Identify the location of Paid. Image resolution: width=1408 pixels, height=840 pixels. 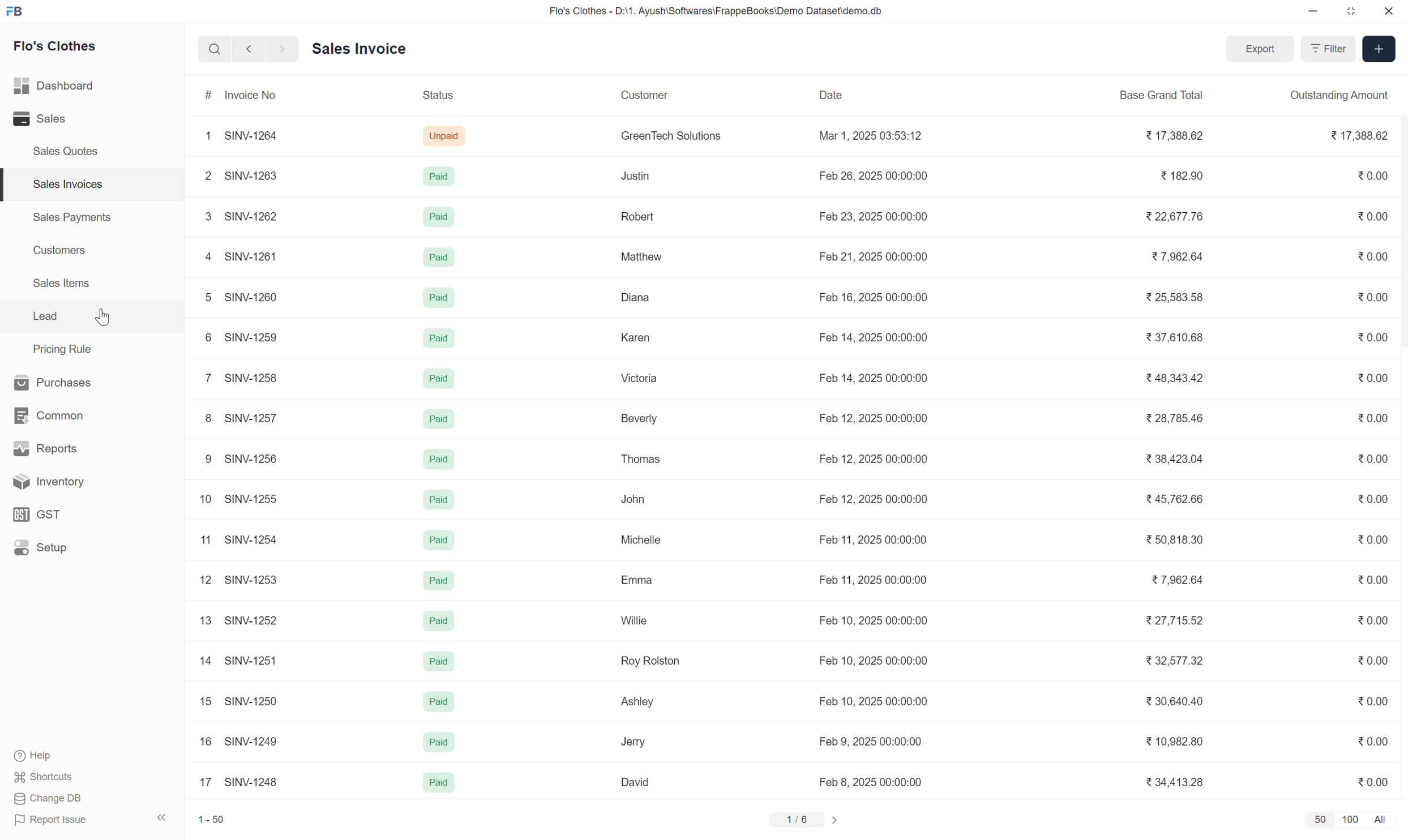
(439, 742).